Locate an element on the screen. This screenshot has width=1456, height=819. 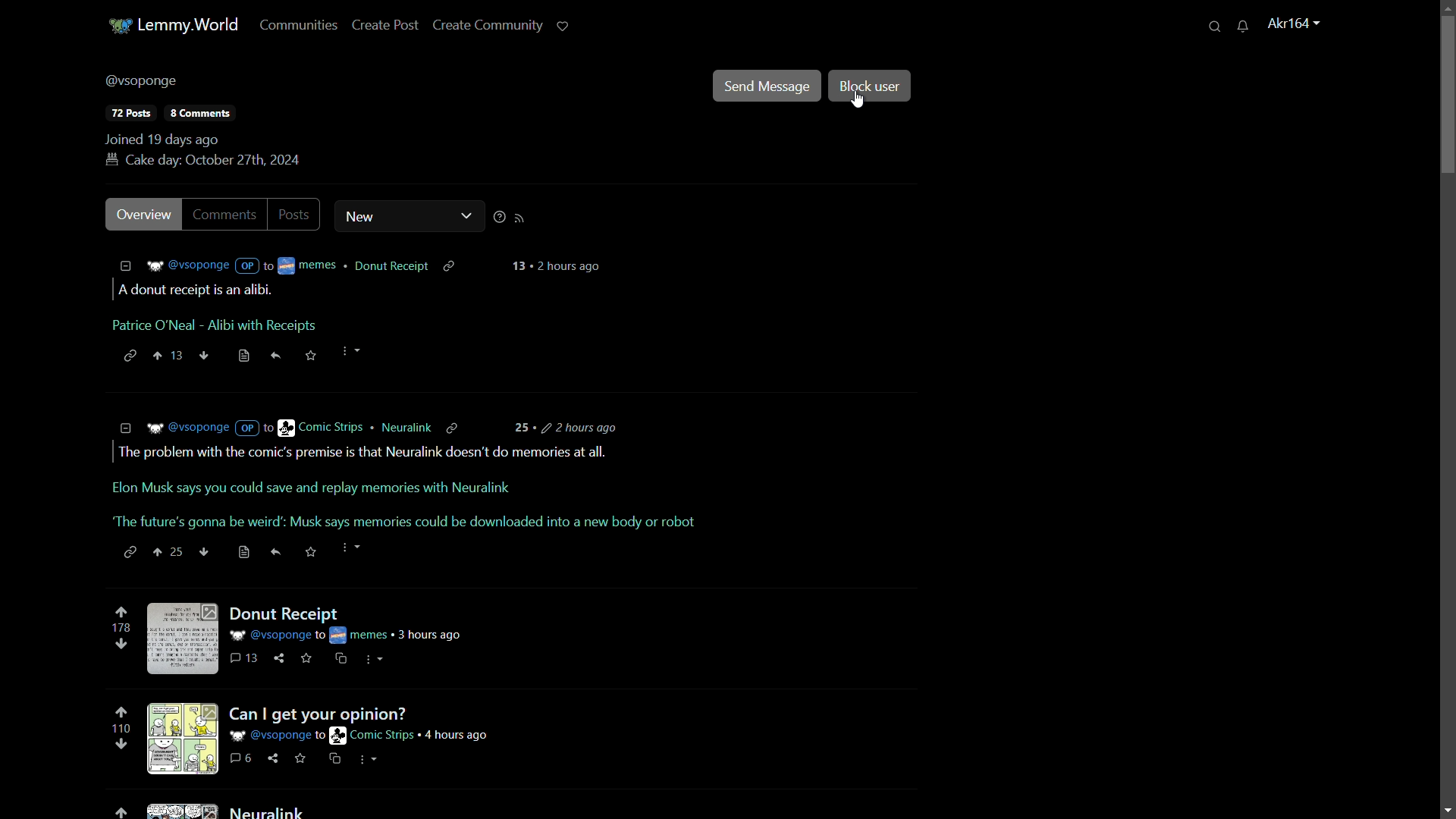
share is located at coordinates (273, 757).